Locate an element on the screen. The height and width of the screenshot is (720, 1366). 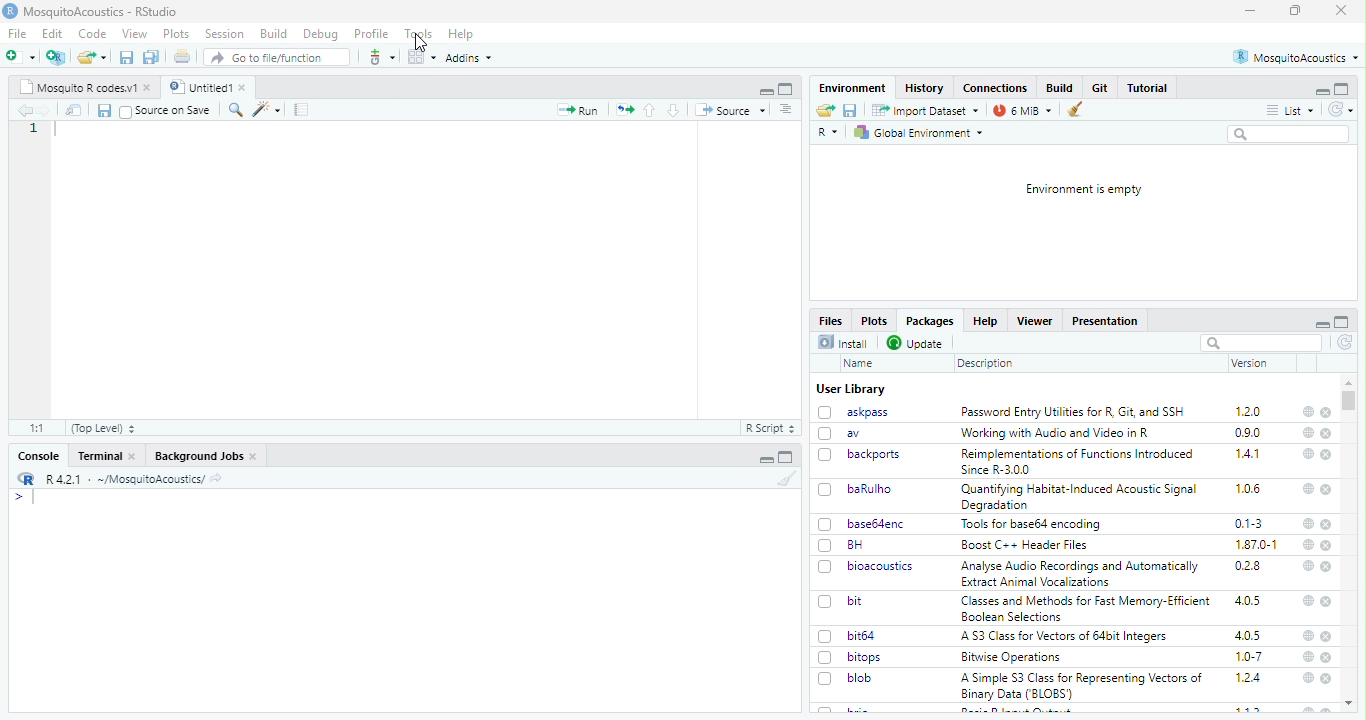
R Script  is located at coordinates (771, 428).